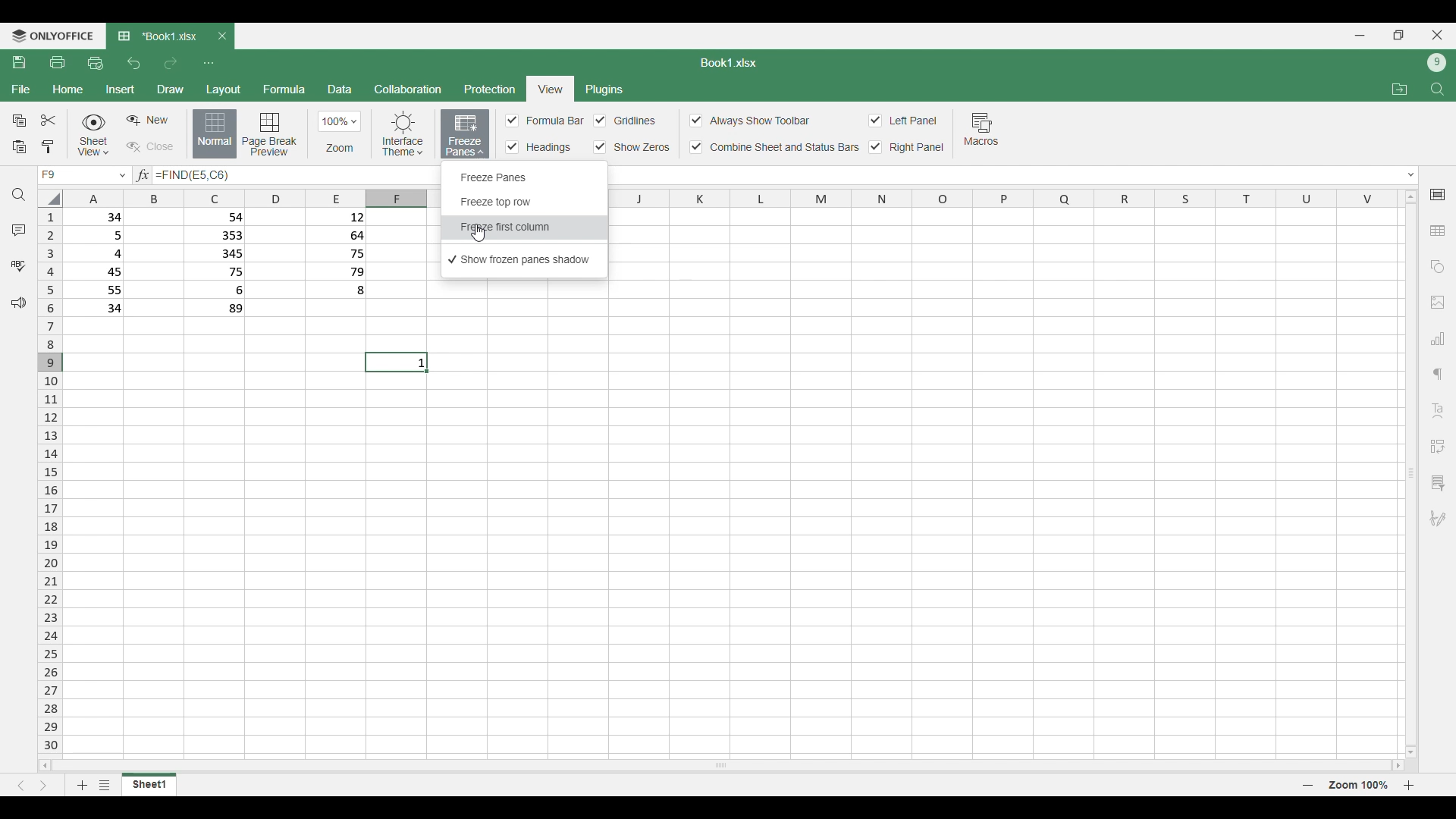 Image resolution: width=1456 pixels, height=819 pixels. What do you see at coordinates (58, 62) in the screenshot?
I see `Print file` at bounding box center [58, 62].